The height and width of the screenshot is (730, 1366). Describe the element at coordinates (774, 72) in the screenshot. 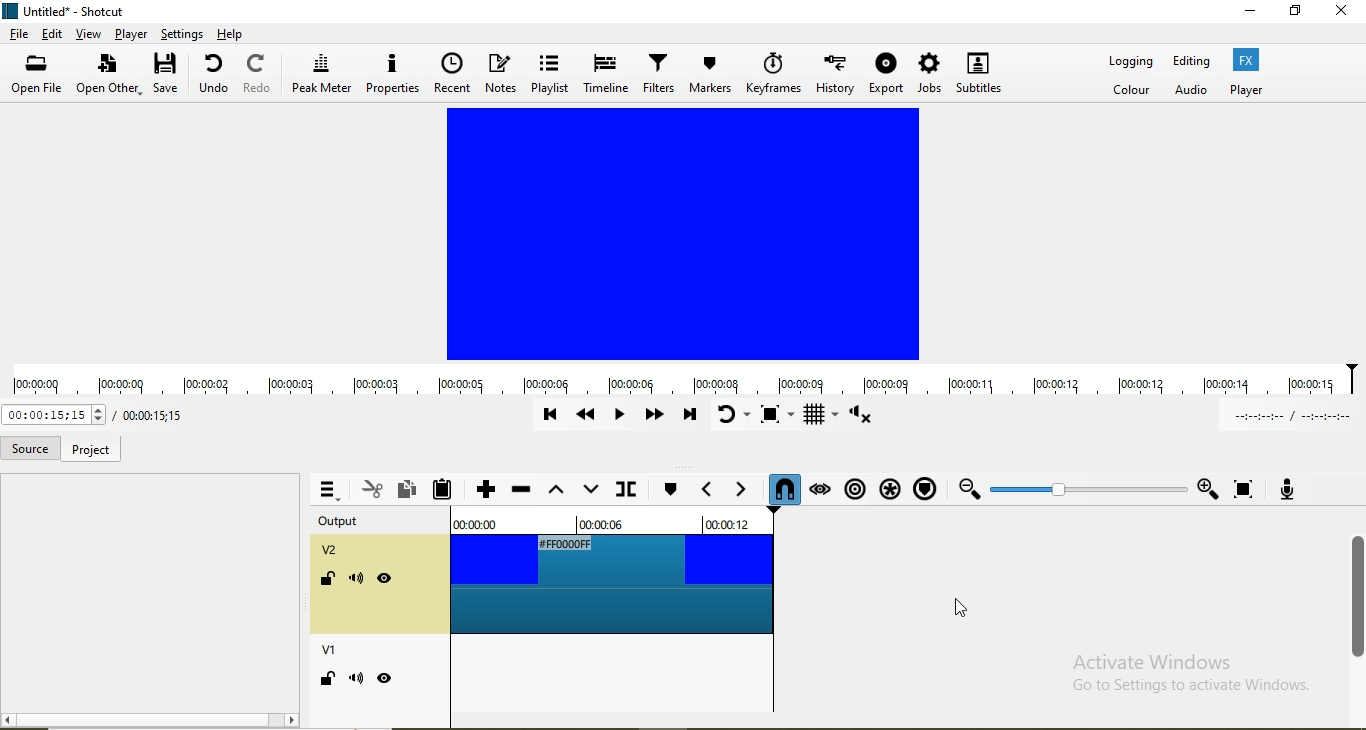

I see `keyframe` at that location.